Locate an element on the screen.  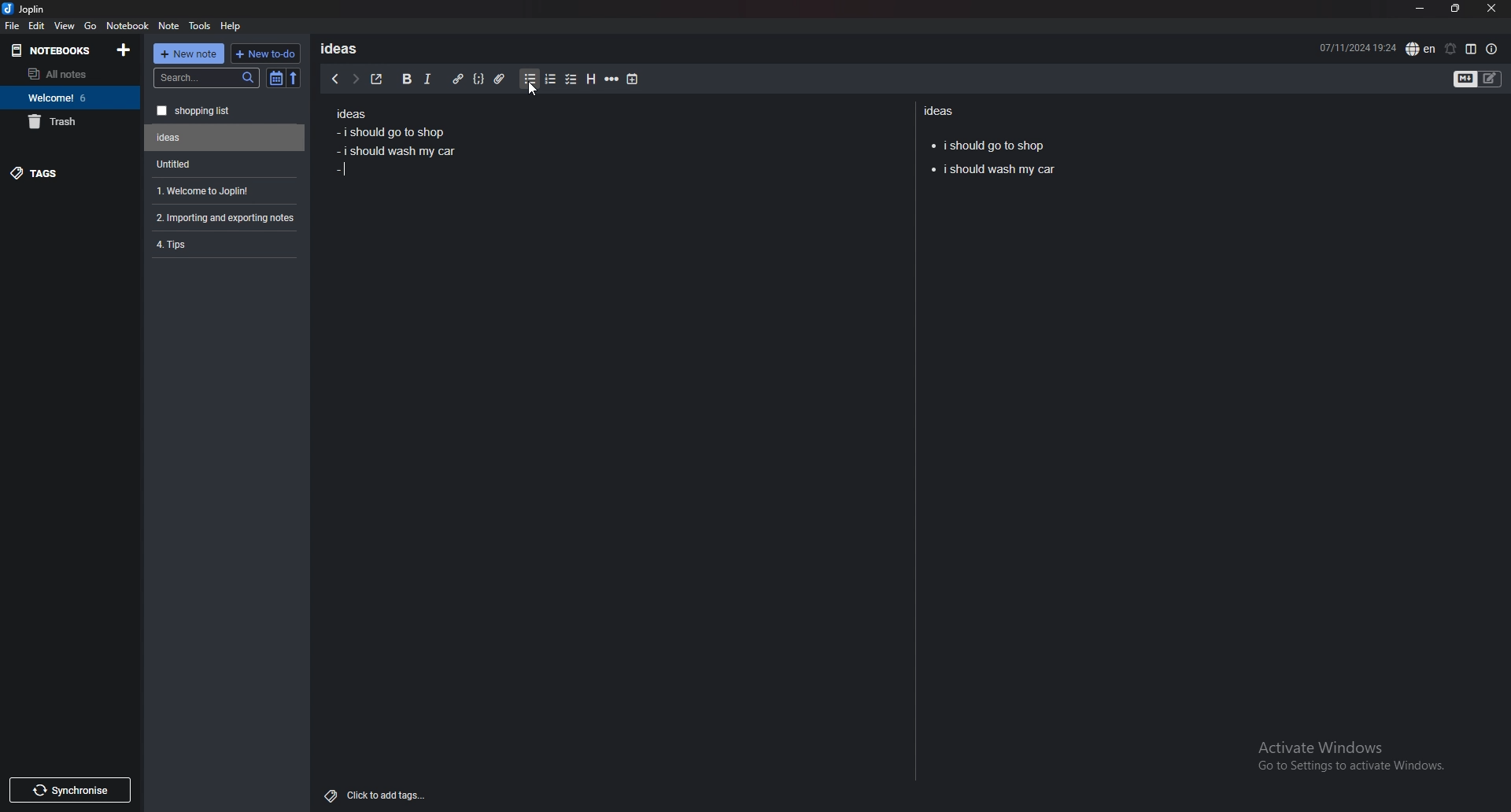
view is located at coordinates (65, 25).